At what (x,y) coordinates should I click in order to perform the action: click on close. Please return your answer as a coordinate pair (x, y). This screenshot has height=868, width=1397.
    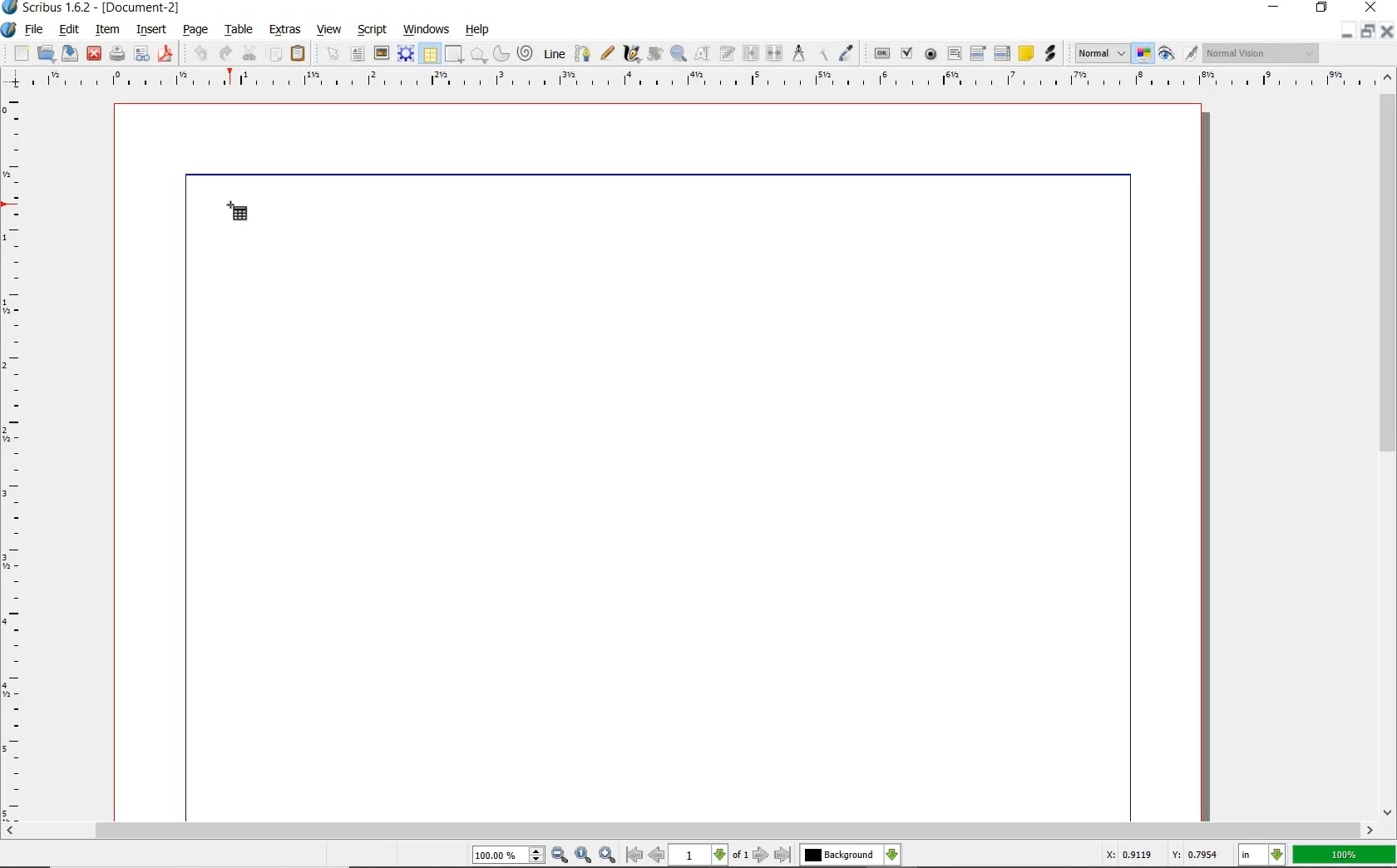
    Looking at the image, I should click on (1389, 32).